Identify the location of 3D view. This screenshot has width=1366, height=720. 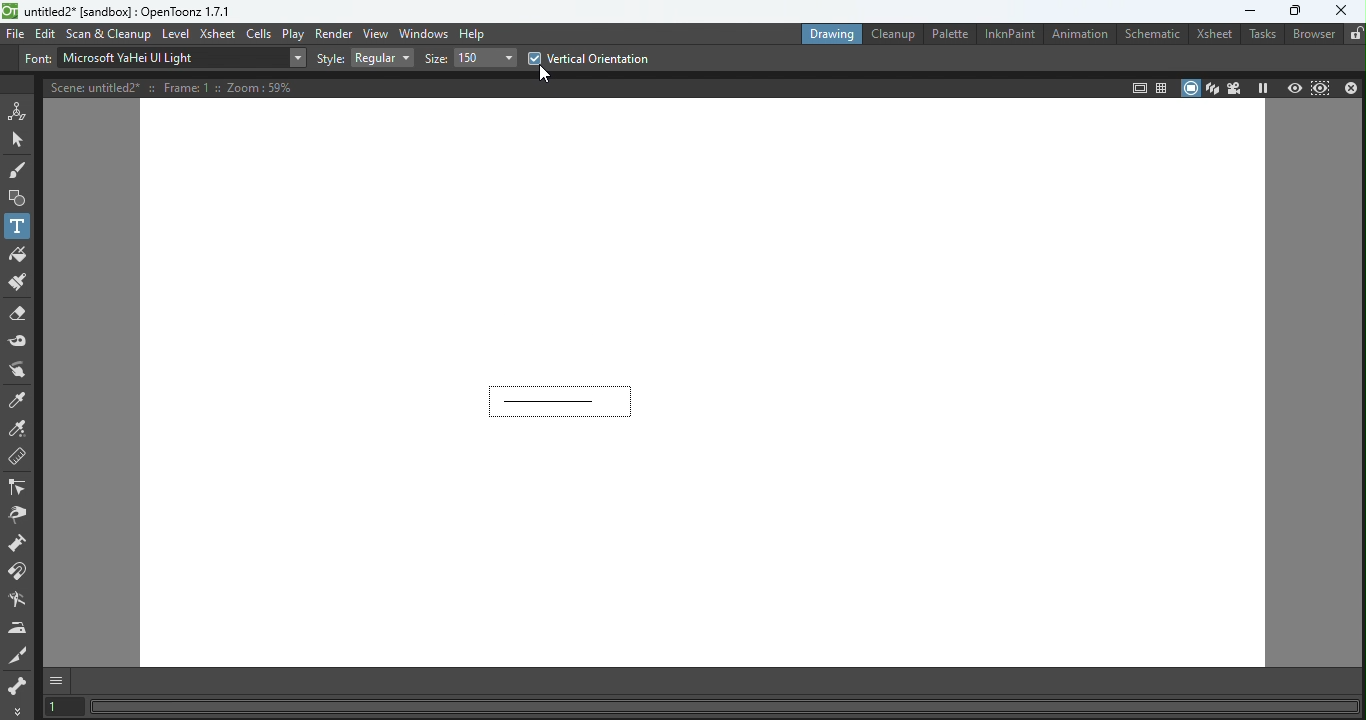
(1213, 87).